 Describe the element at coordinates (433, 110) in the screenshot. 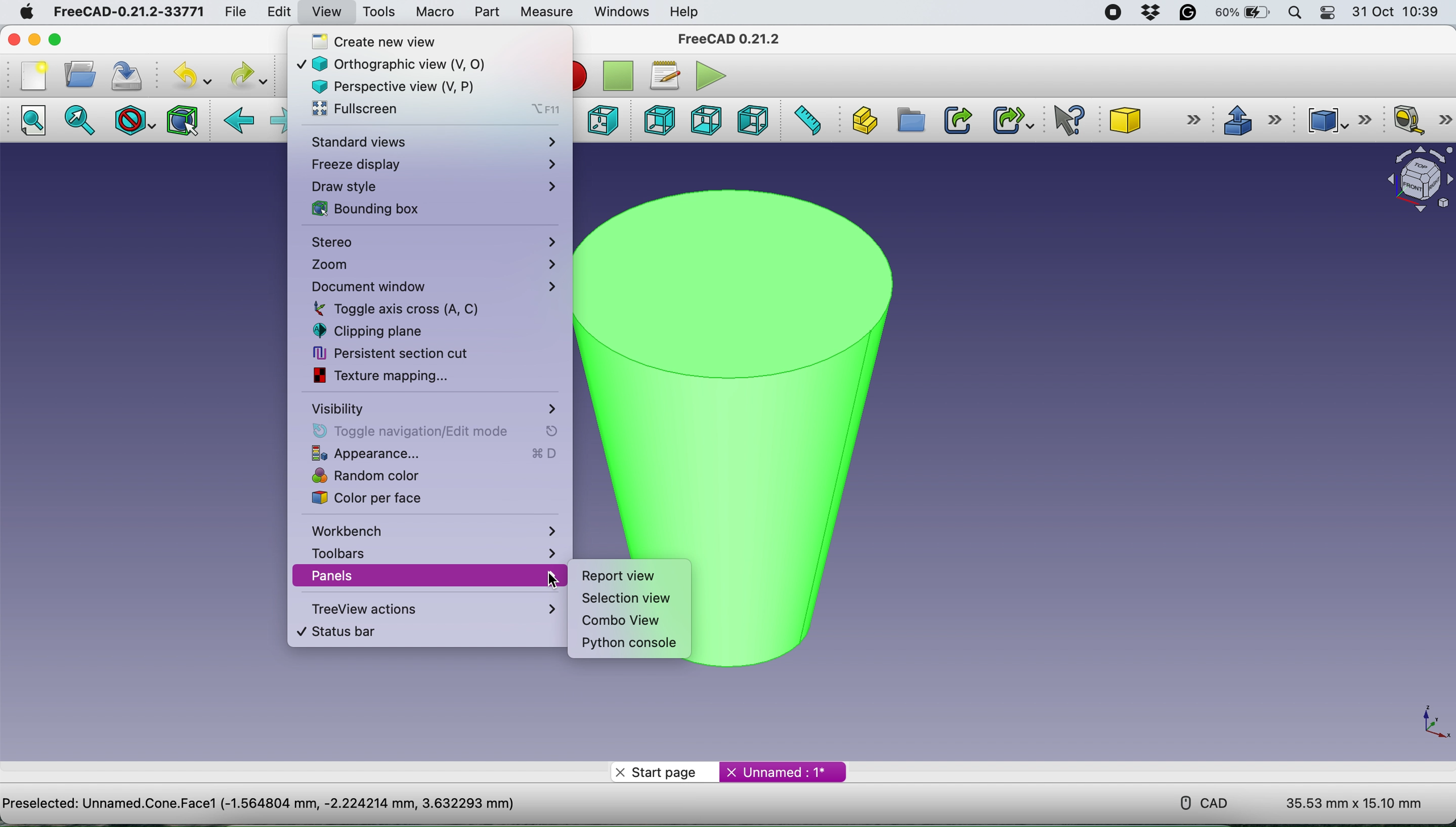

I see `fullscreen` at that location.